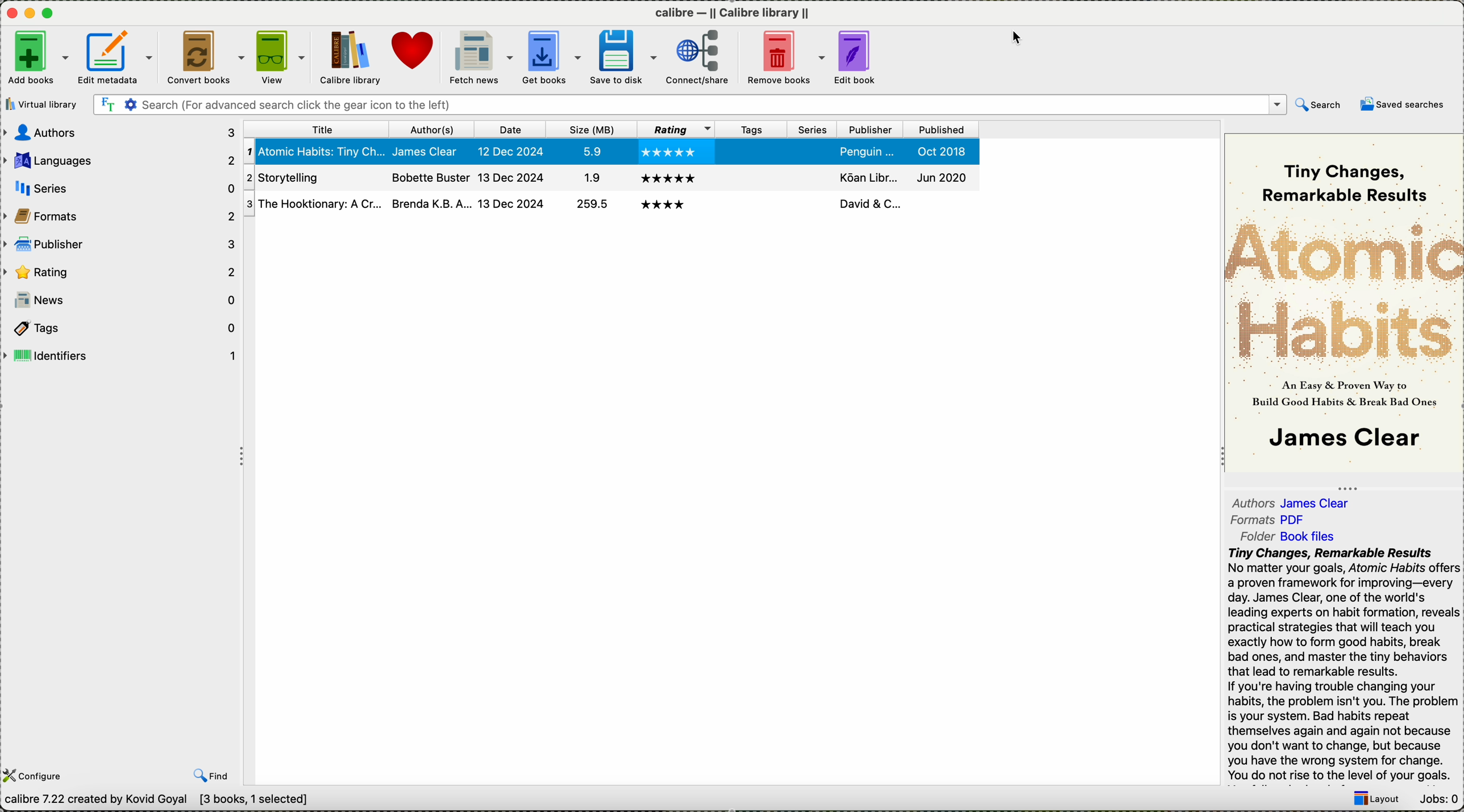  Describe the element at coordinates (206, 57) in the screenshot. I see `convert books` at that location.